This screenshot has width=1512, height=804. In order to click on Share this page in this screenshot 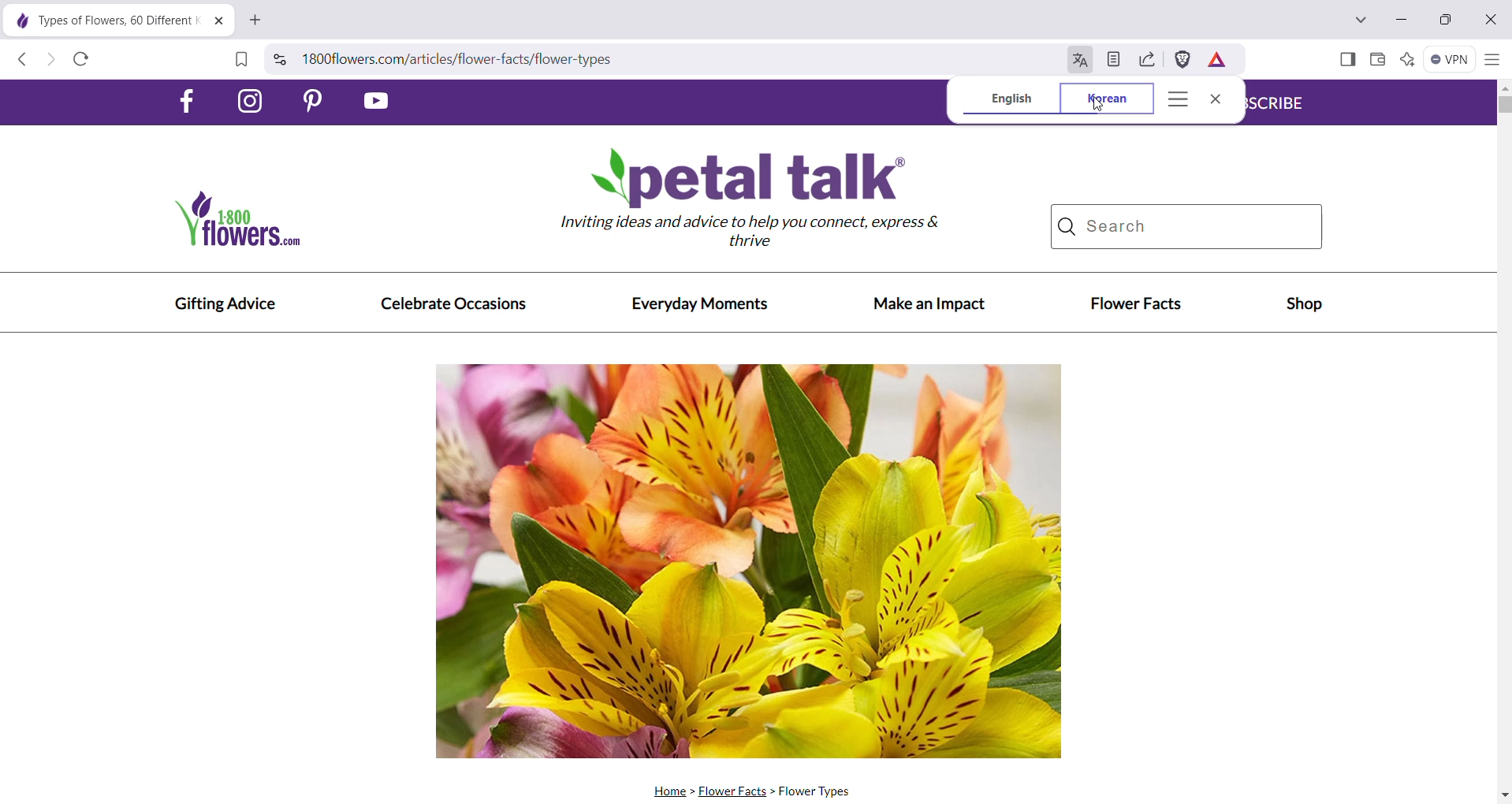, I will do `click(1144, 60)`.